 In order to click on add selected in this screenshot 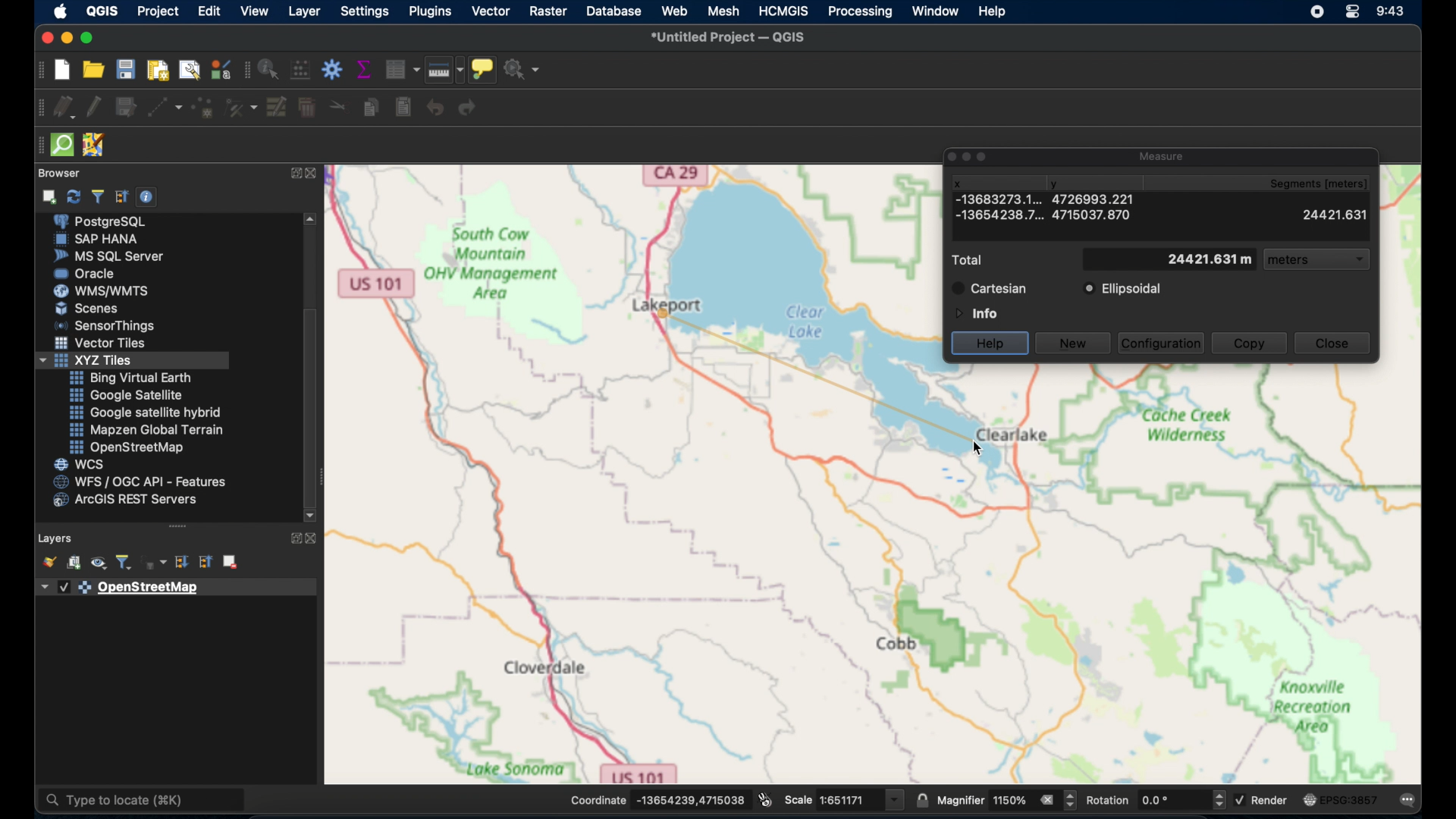, I will do `click(51, 196)`.